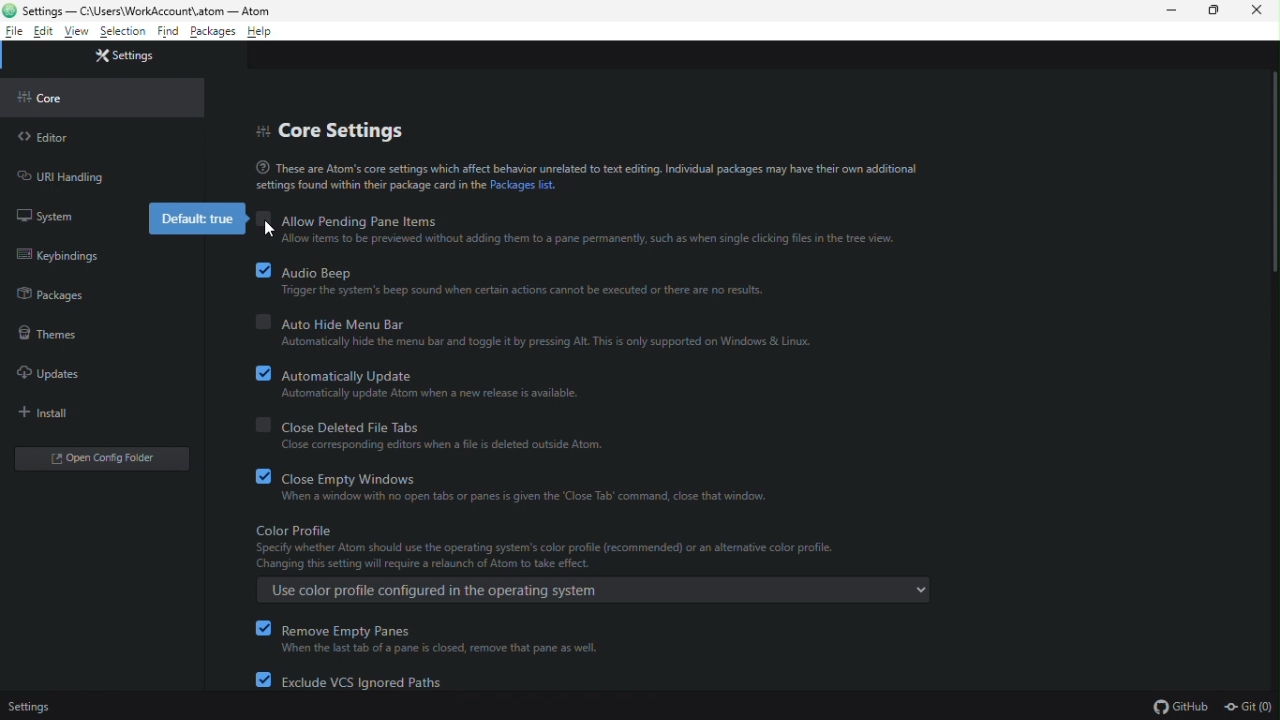 This screenshot has width=1280, height=720. What do you see at coordinates (576, 229) in the screenshot?
I see `allow pending pane items. Allow items to be previewed without adding them to the pane prematurely, such as when single clicking files in the tree view.` at bounding box center [576, 229].